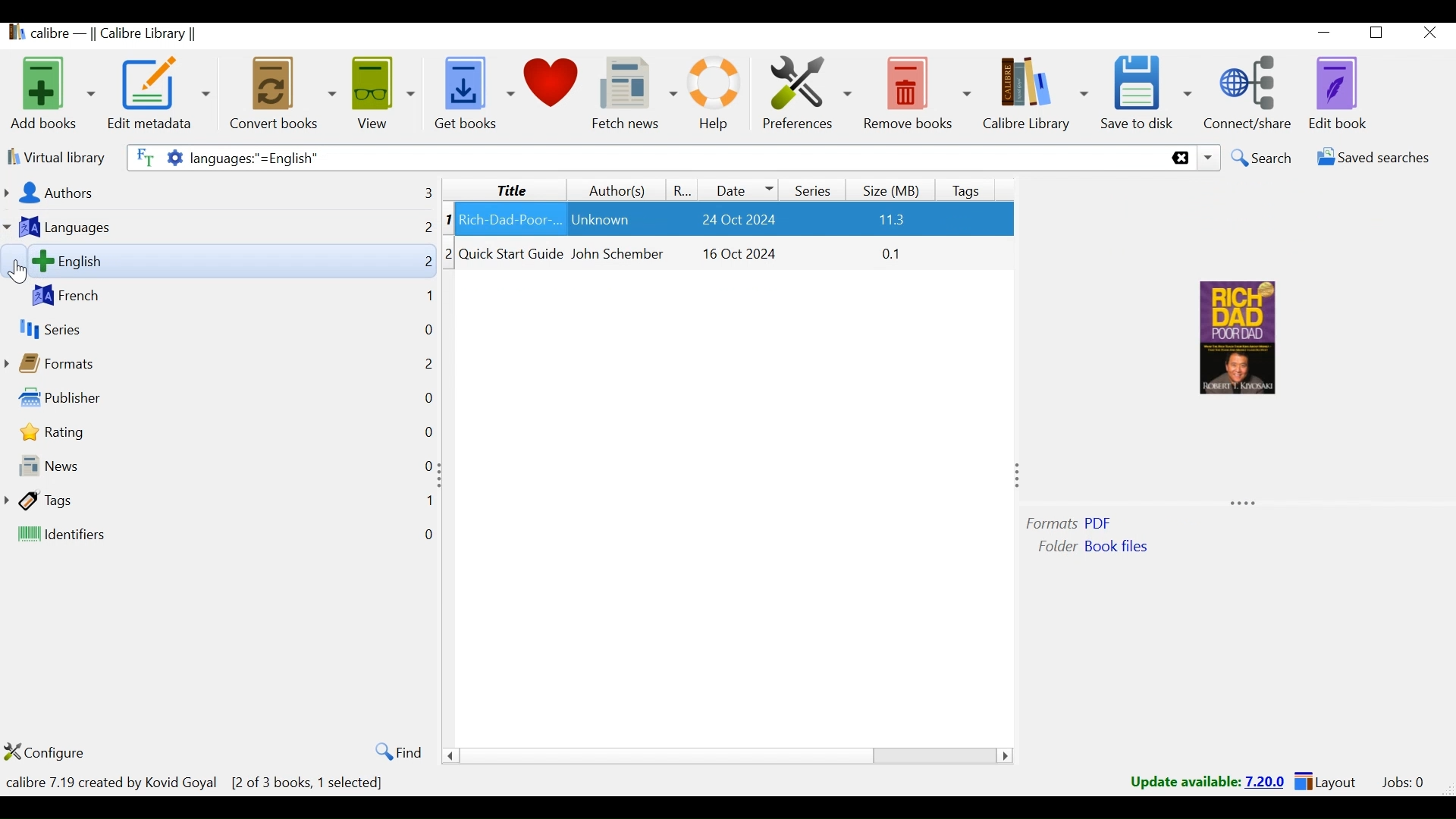 The width and height of the screenshot is (1456, 819). I want to click on 0, so click(427, 333).